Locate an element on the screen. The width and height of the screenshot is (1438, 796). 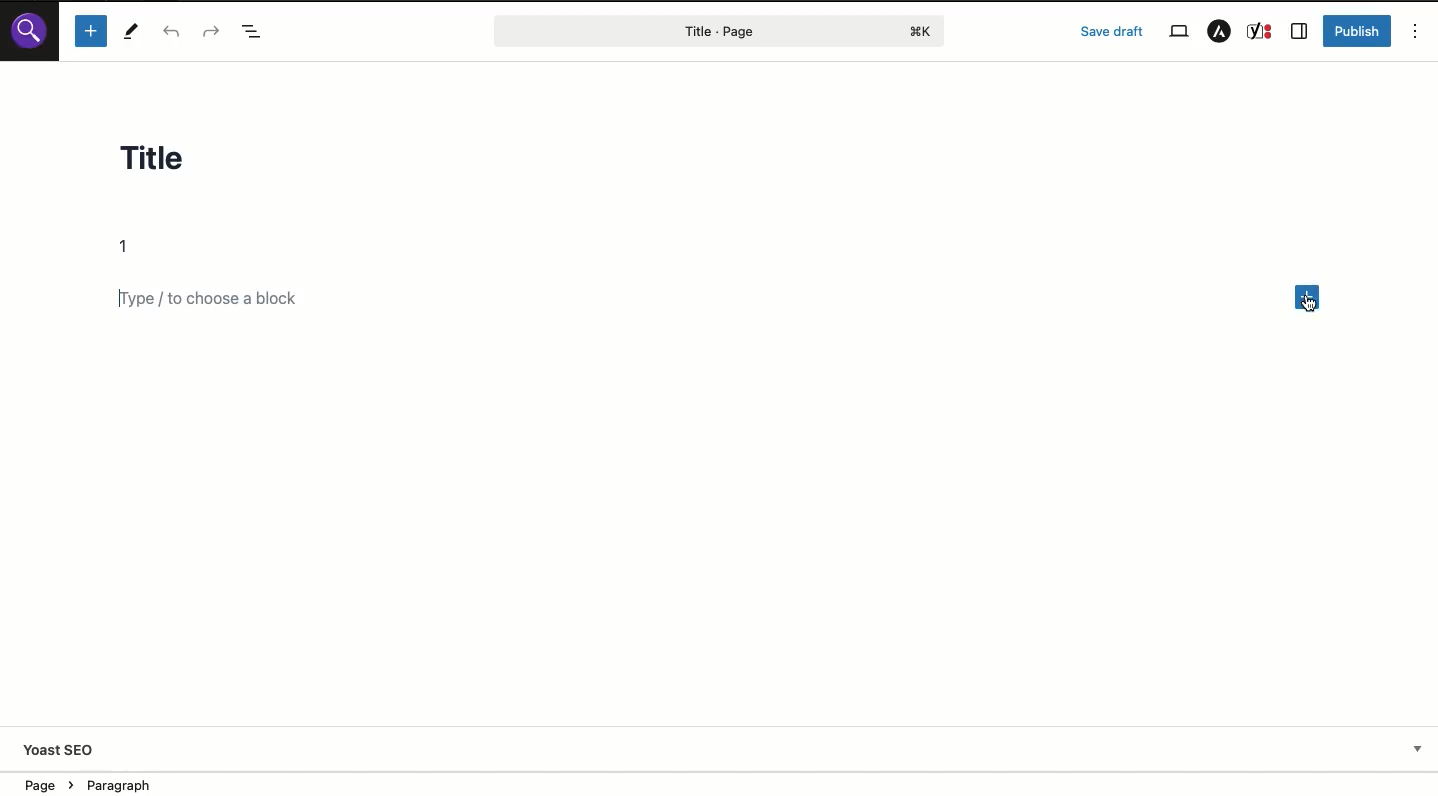
Add new block is located at coordinates (1309, 299).